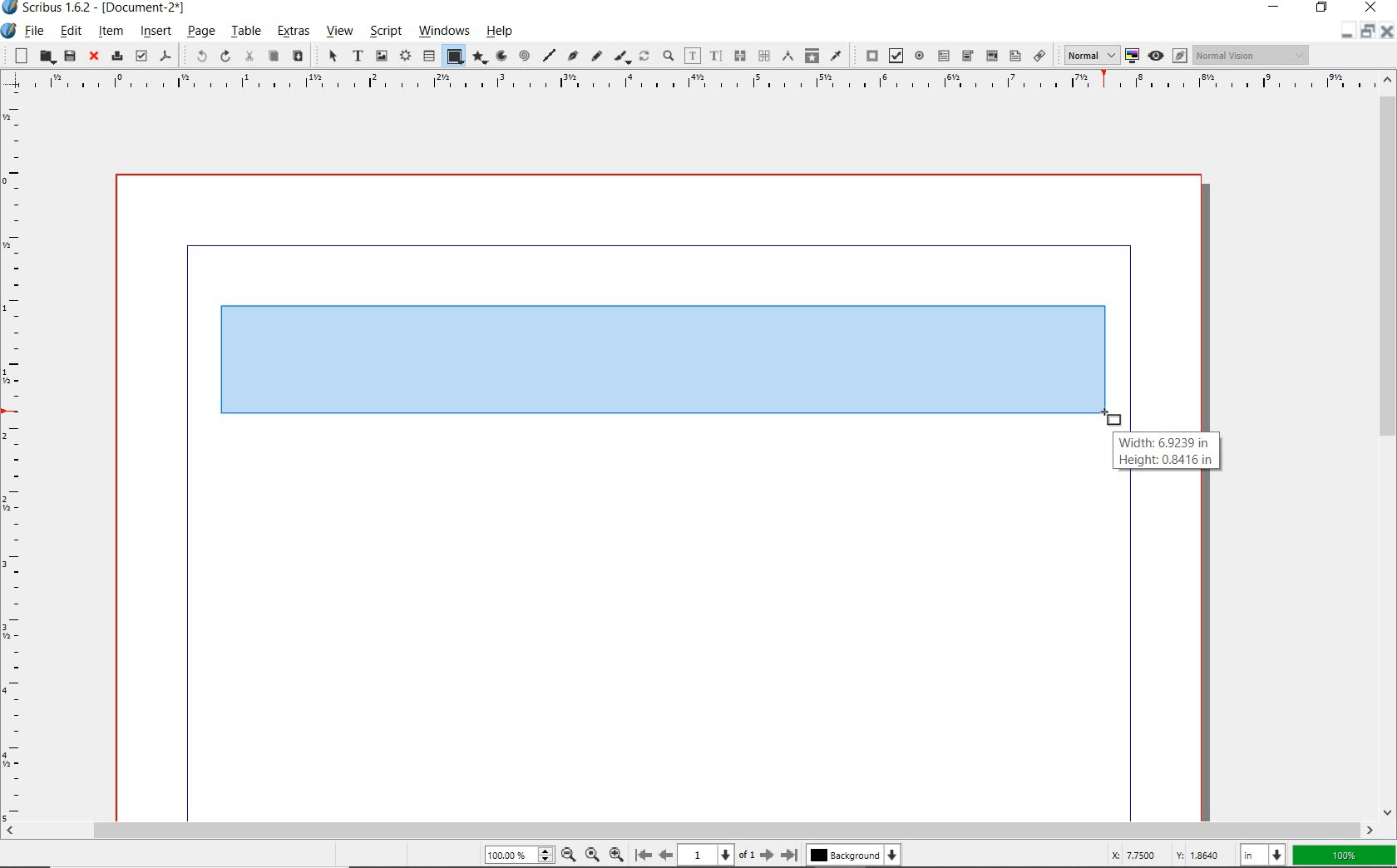  I want to click on rotate item, so click(644, 55).